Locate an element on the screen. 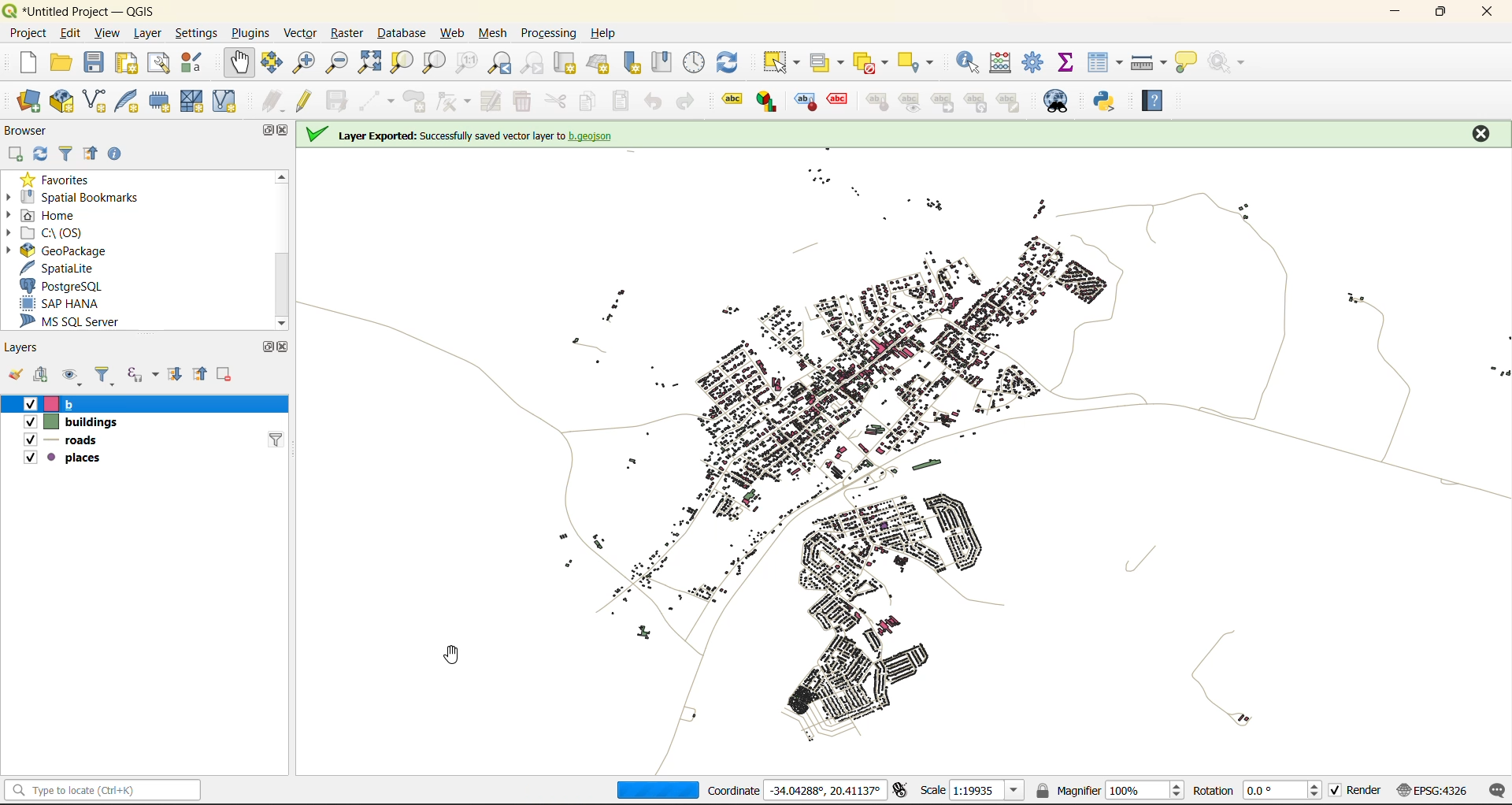 This screenshot has width=1512, height=805. new spatial bookmarks is located at coordinates (629, 63).